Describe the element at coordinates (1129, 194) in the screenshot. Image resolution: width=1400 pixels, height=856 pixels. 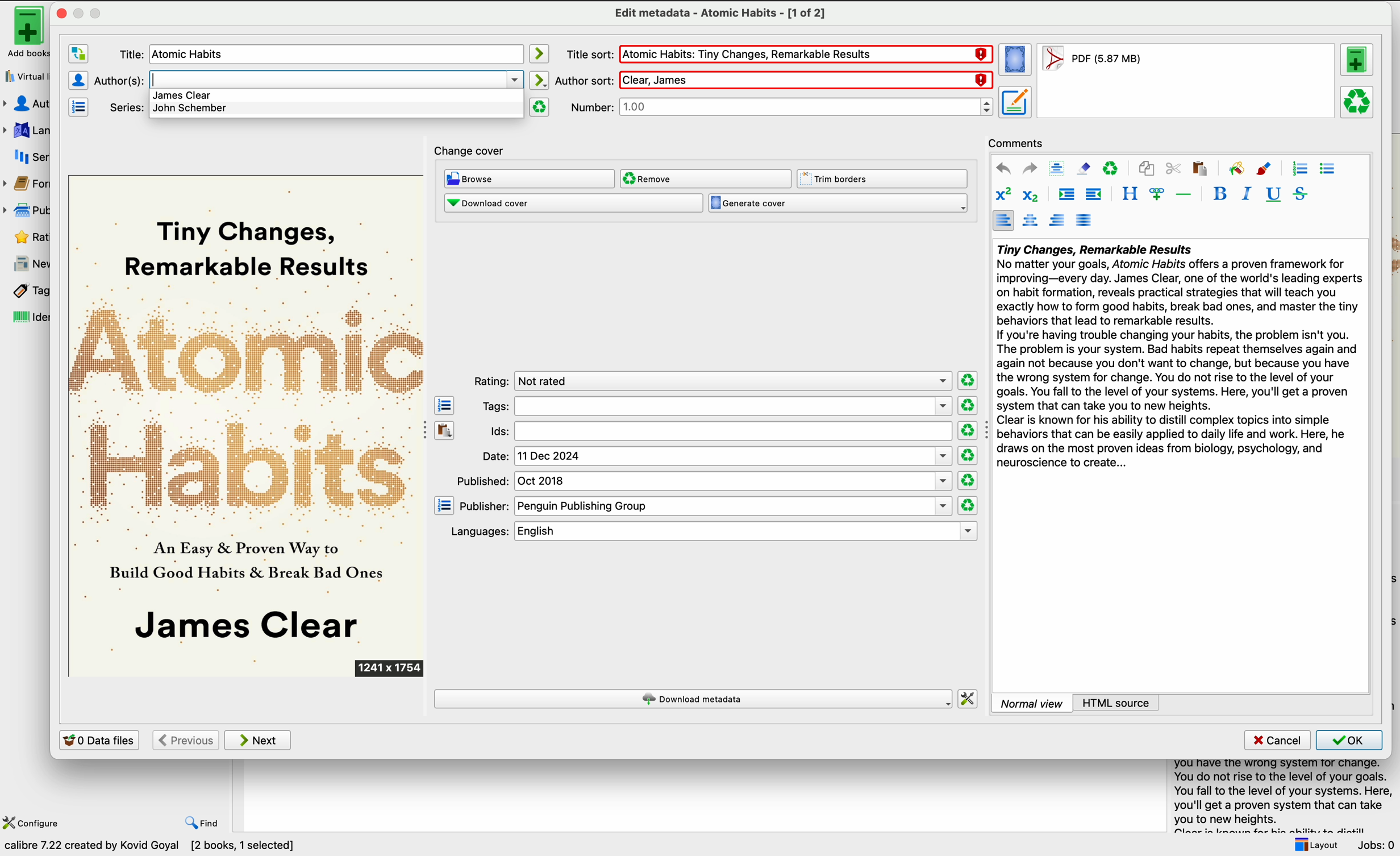
I see `style the selected text block` at that location.